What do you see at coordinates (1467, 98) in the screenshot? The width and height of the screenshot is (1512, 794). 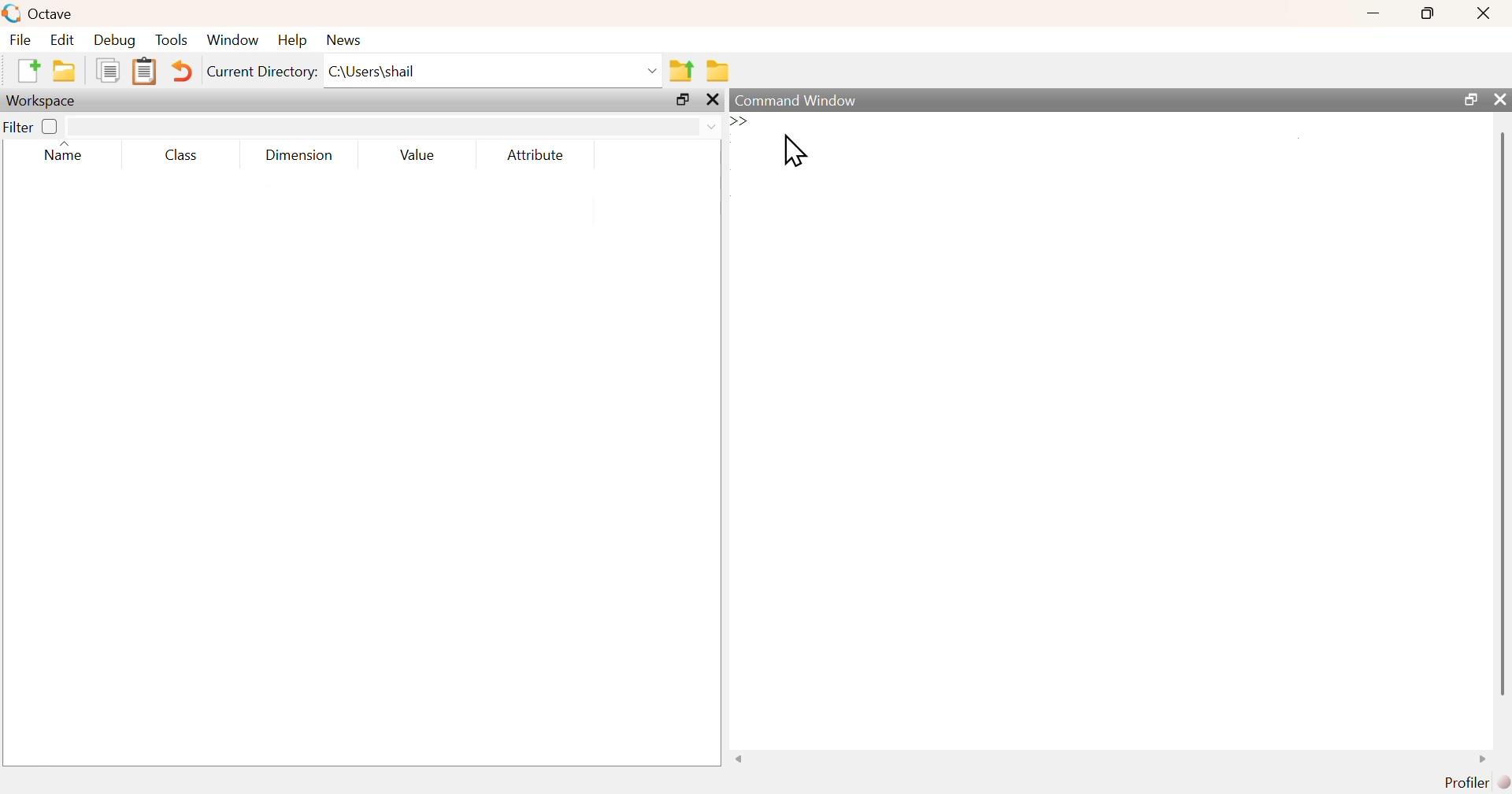 I see `maximize` at bounding box center [1467, 98].